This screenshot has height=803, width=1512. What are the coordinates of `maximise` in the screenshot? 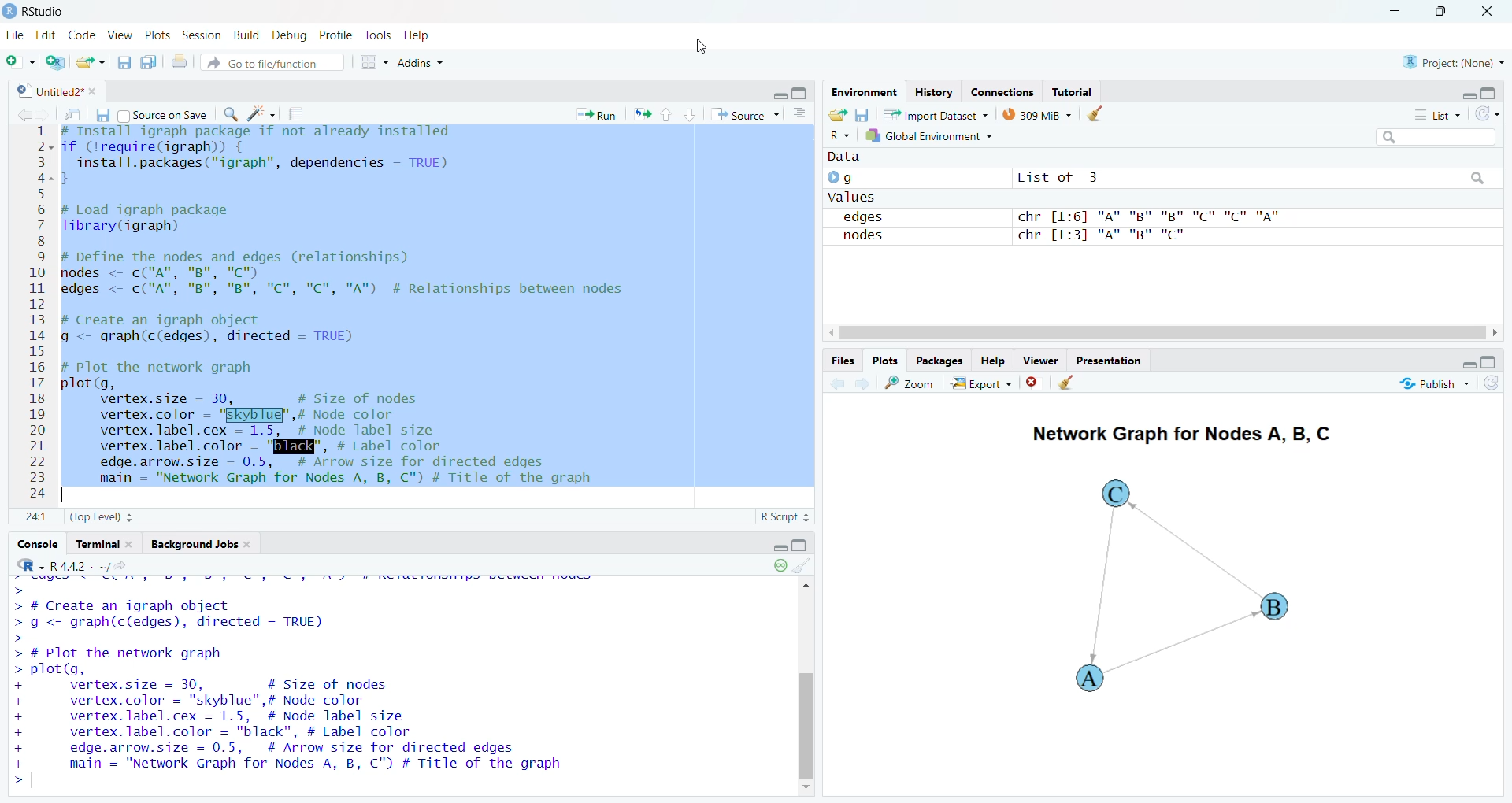 It's located at (805, 546).